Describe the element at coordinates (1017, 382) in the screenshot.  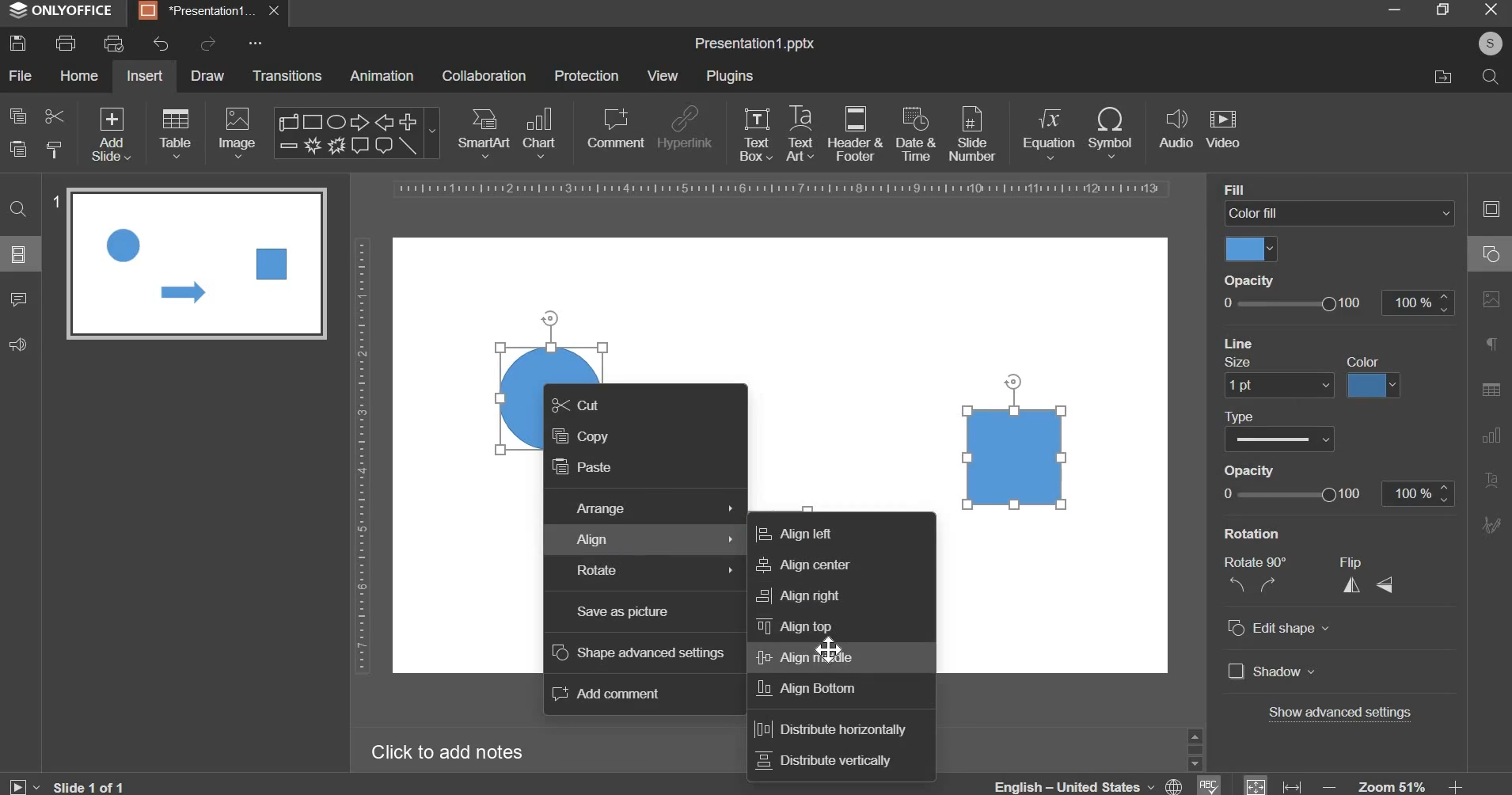
I see `cursor` at that location.